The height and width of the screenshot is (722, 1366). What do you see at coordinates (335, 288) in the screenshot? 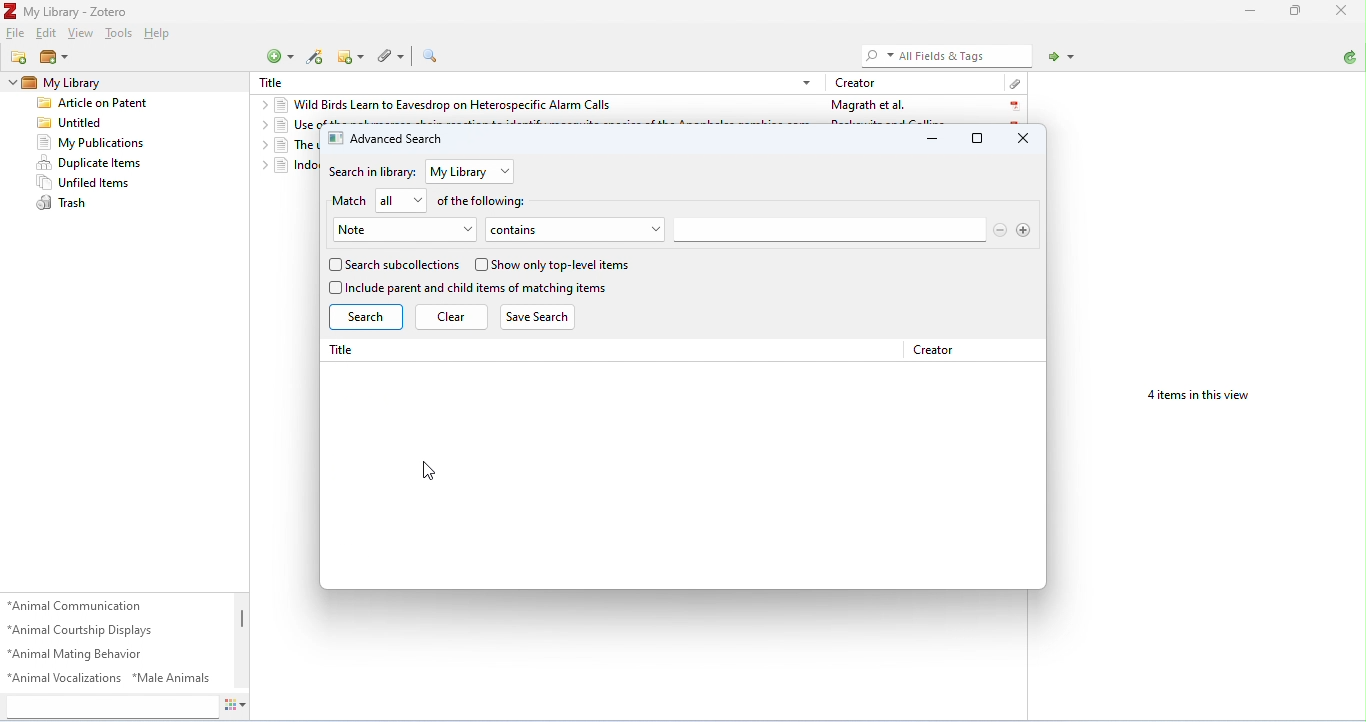
I see `checkbox` at bounding box center [335, 288].